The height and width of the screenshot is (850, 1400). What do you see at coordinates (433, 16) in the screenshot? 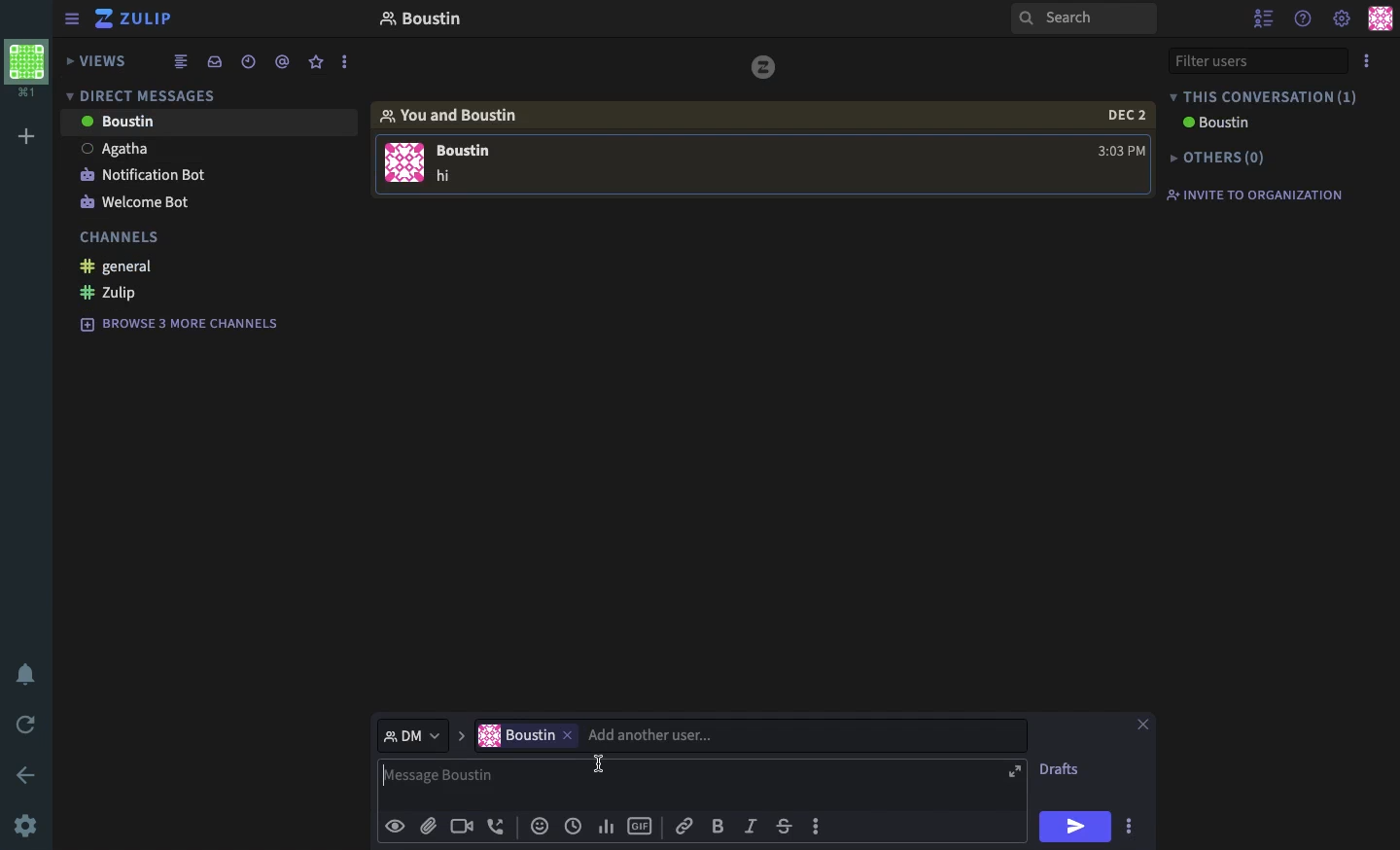
I see `boustin` at bounding box center [433, 16].